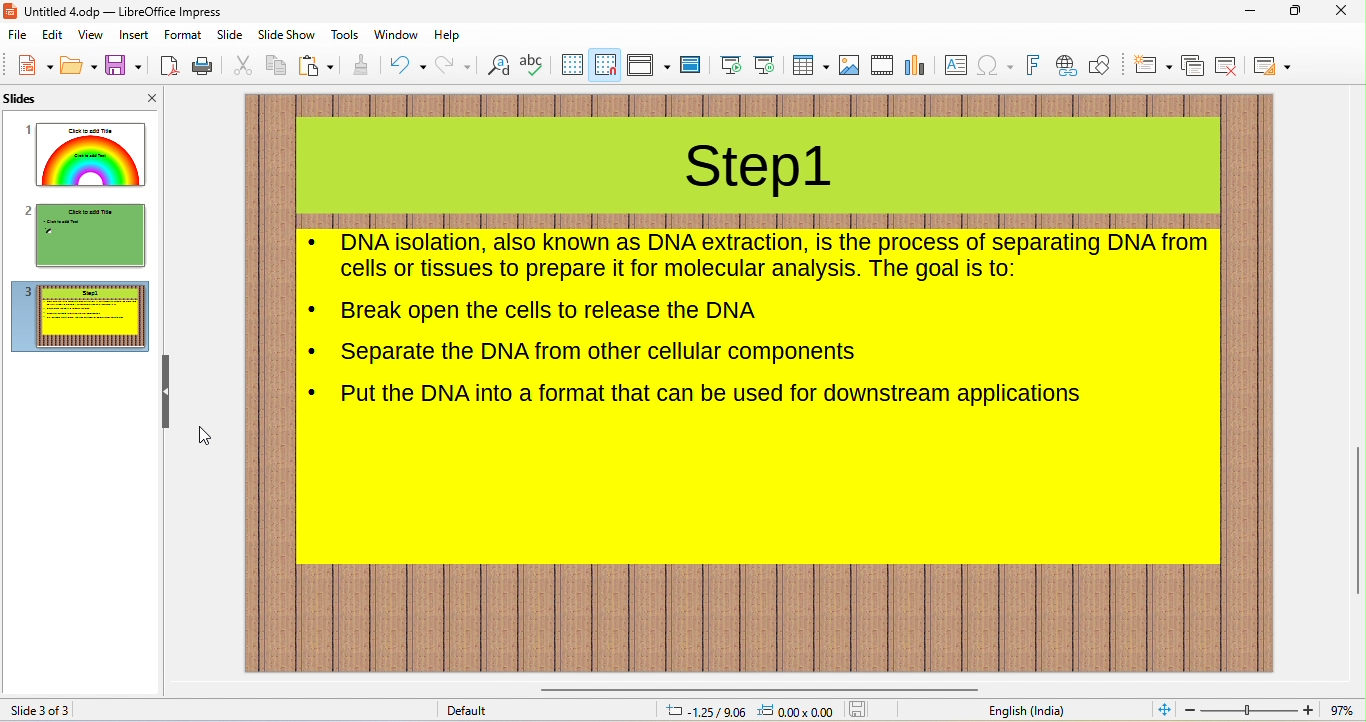 The image size is (1366, 722). What do you see at coordinates (1103, 67) in the screenshot?
I see `show draw functions` at bounding box center [1103, 67].